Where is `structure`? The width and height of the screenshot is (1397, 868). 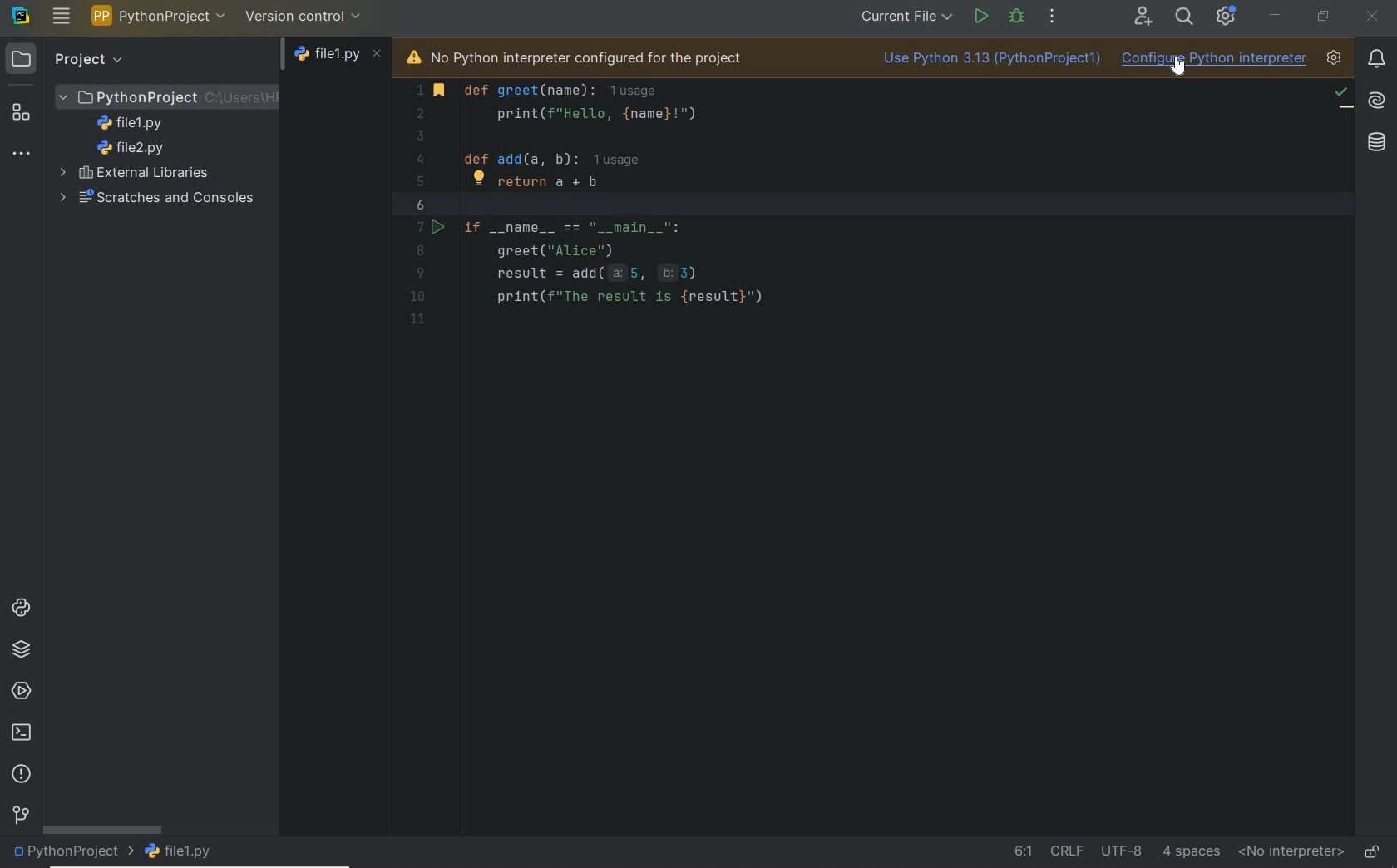
structure is located at coordinates (22, 112).